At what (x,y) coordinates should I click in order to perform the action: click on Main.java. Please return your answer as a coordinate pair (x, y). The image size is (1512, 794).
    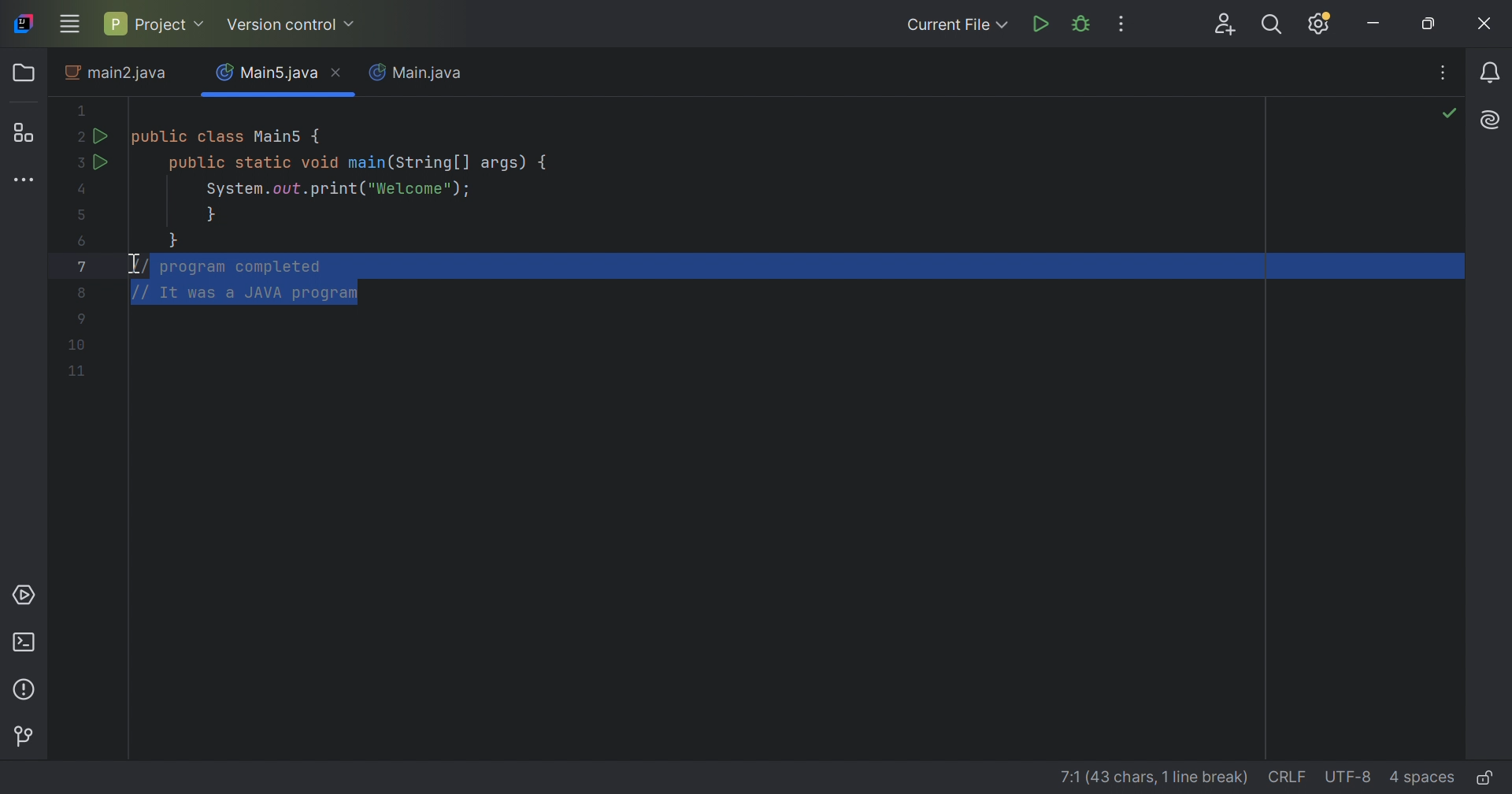
    Looking at the image, I should click on (421, 74).